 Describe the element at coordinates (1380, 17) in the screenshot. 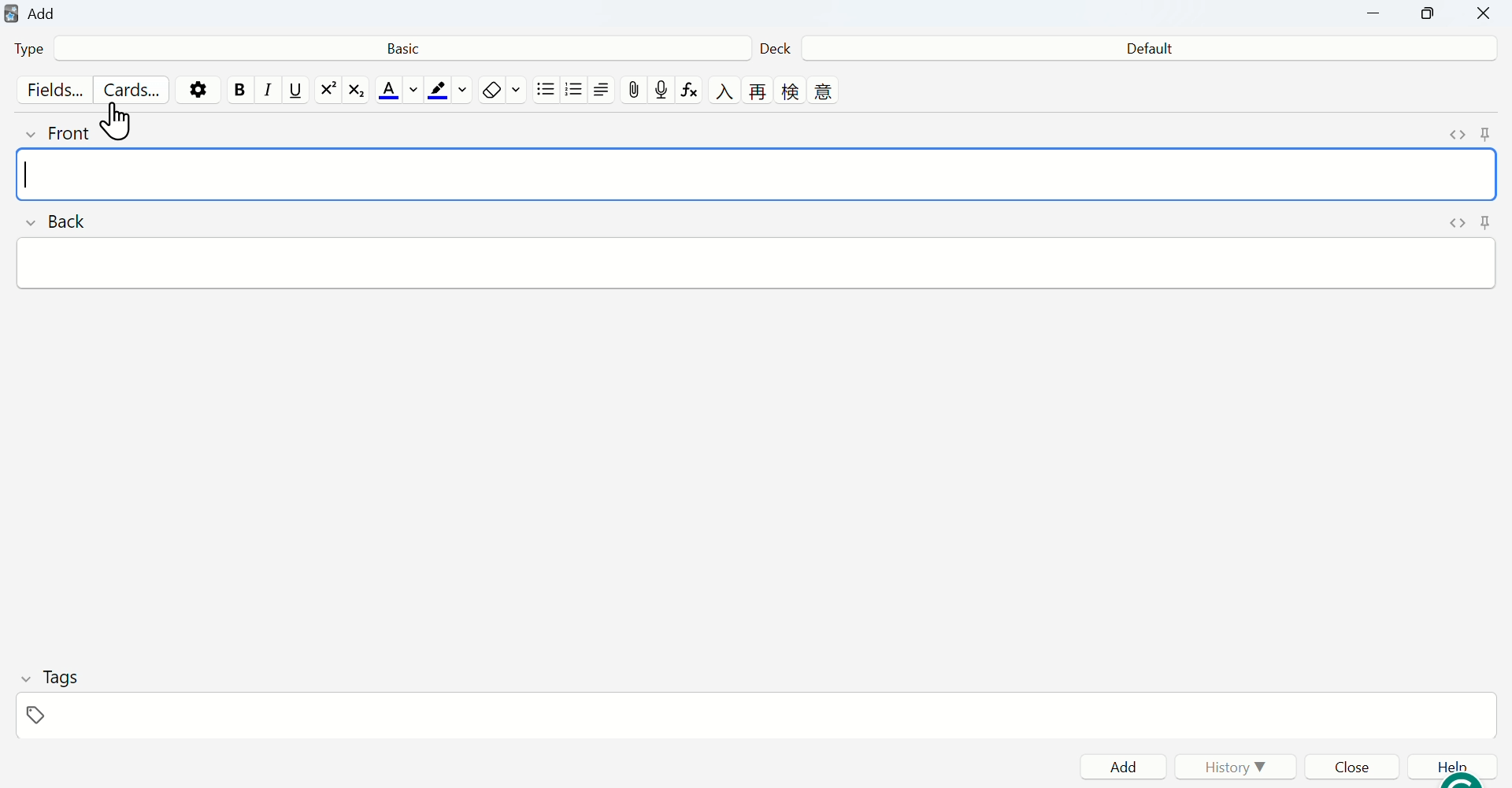

I see `Minimize` at that location.